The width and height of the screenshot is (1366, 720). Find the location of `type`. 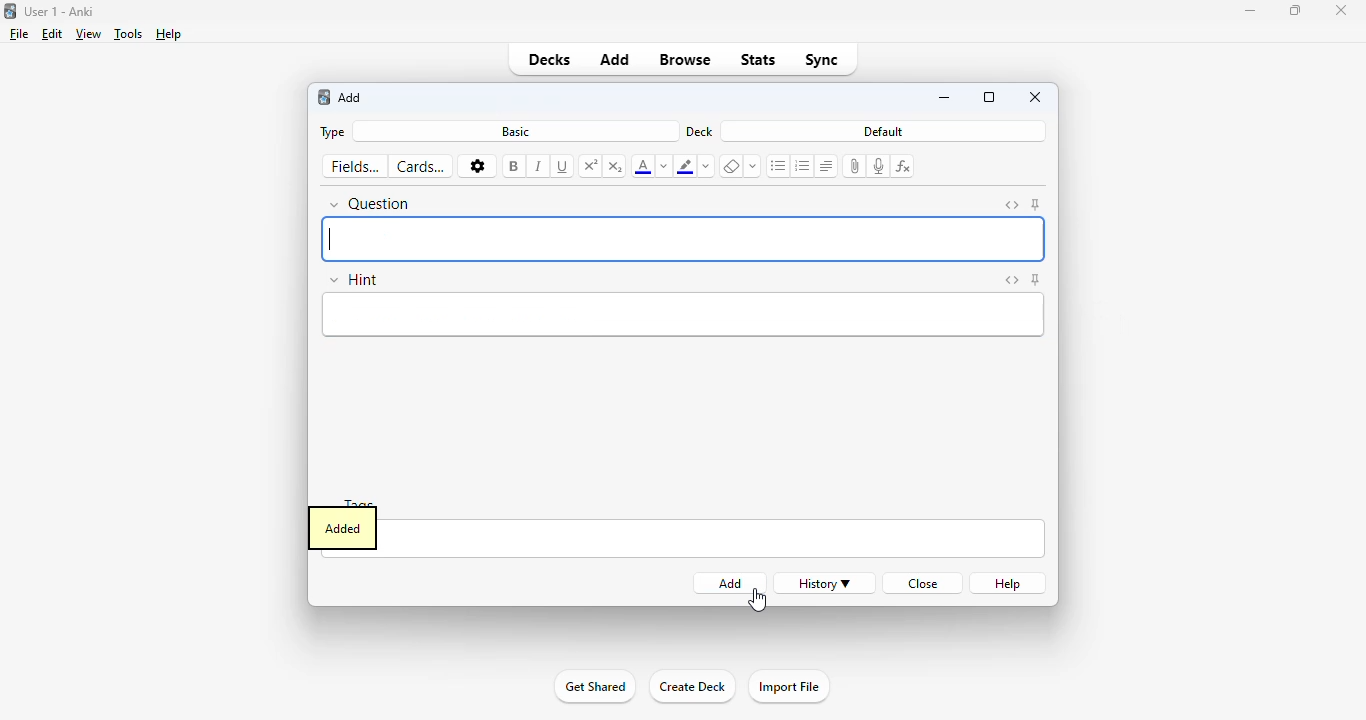

type is located at coordinates (334, 133).